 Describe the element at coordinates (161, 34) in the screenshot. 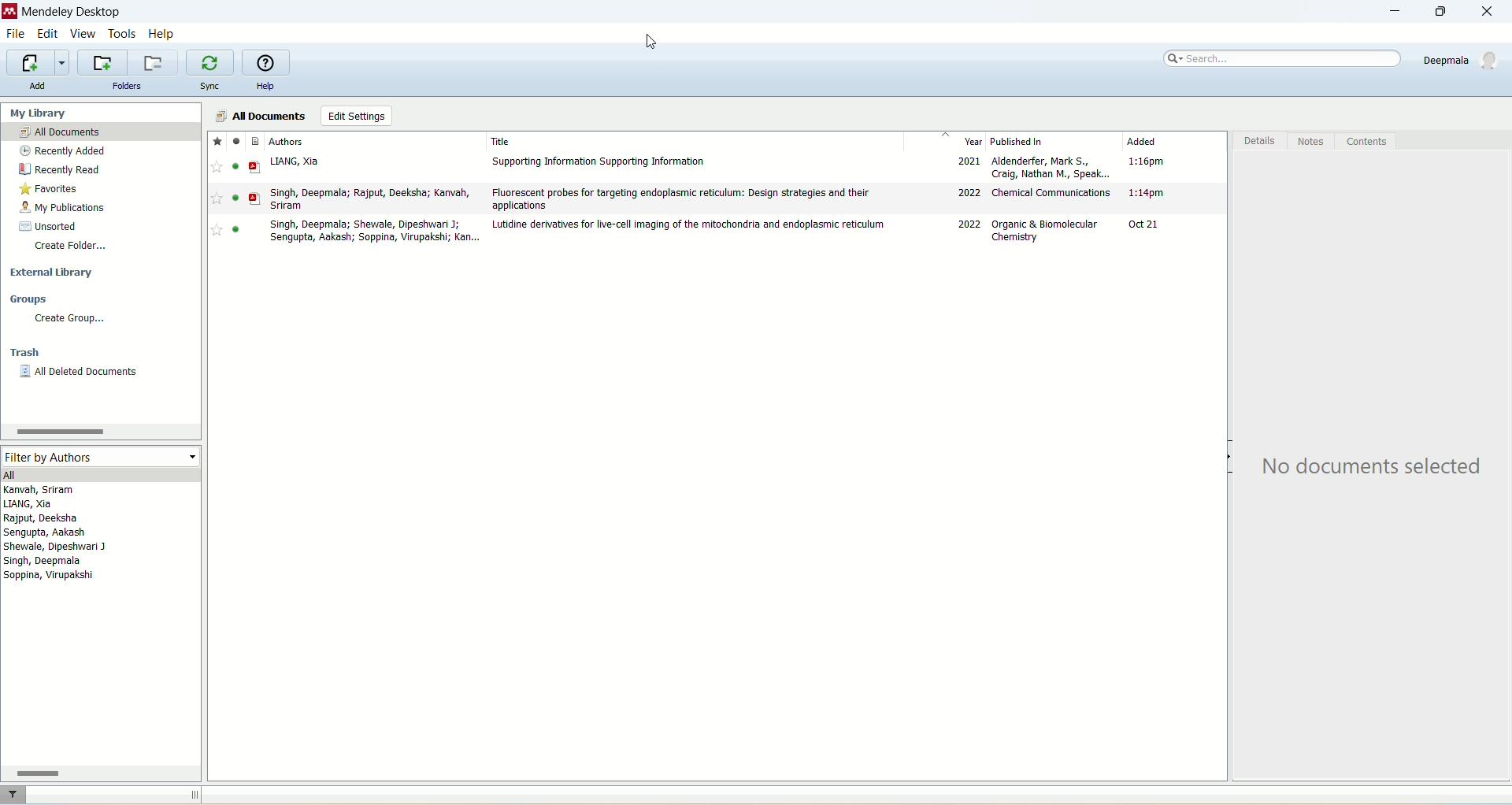

I see `help` at that location.